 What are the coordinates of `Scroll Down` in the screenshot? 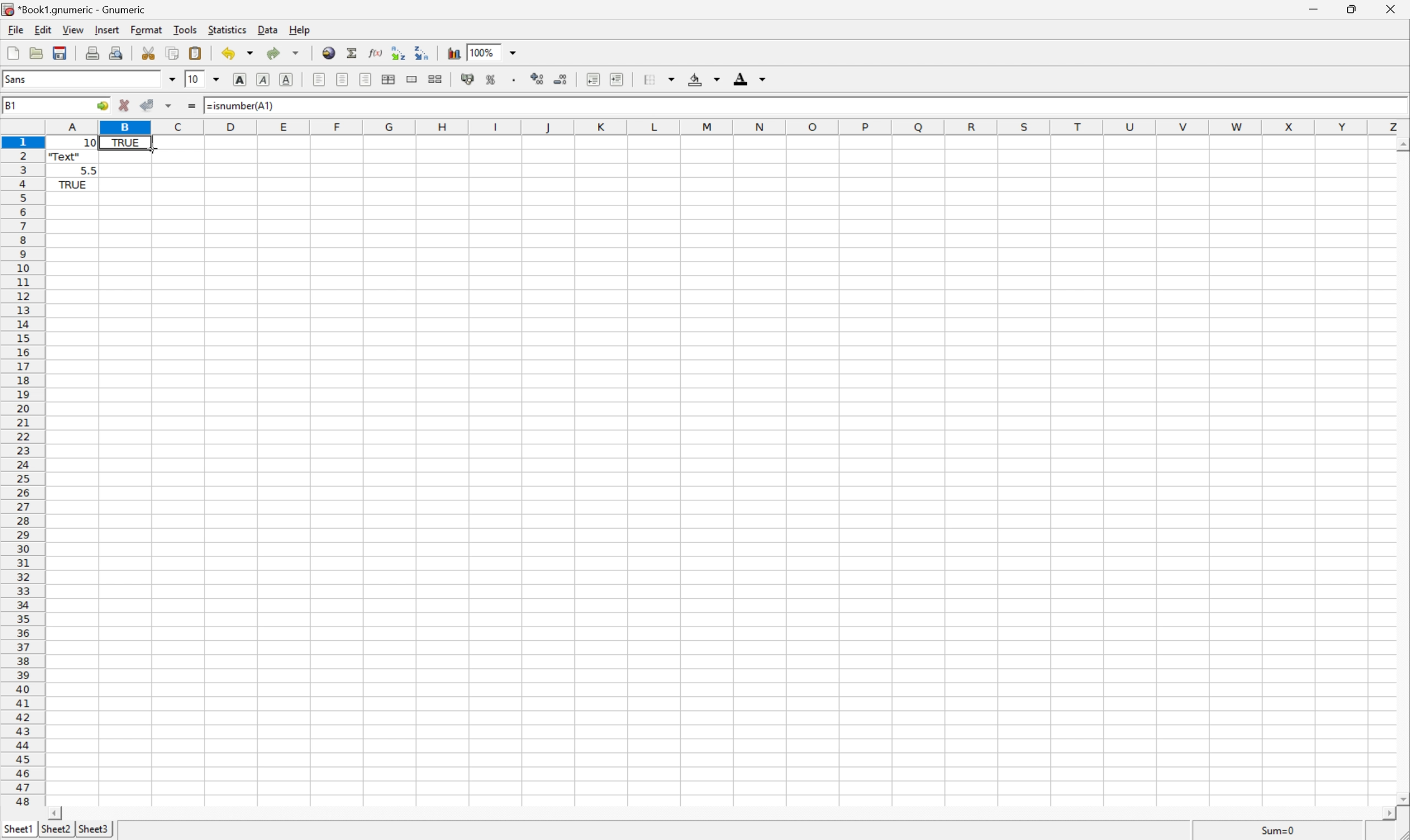 It's located at (1401, 796).